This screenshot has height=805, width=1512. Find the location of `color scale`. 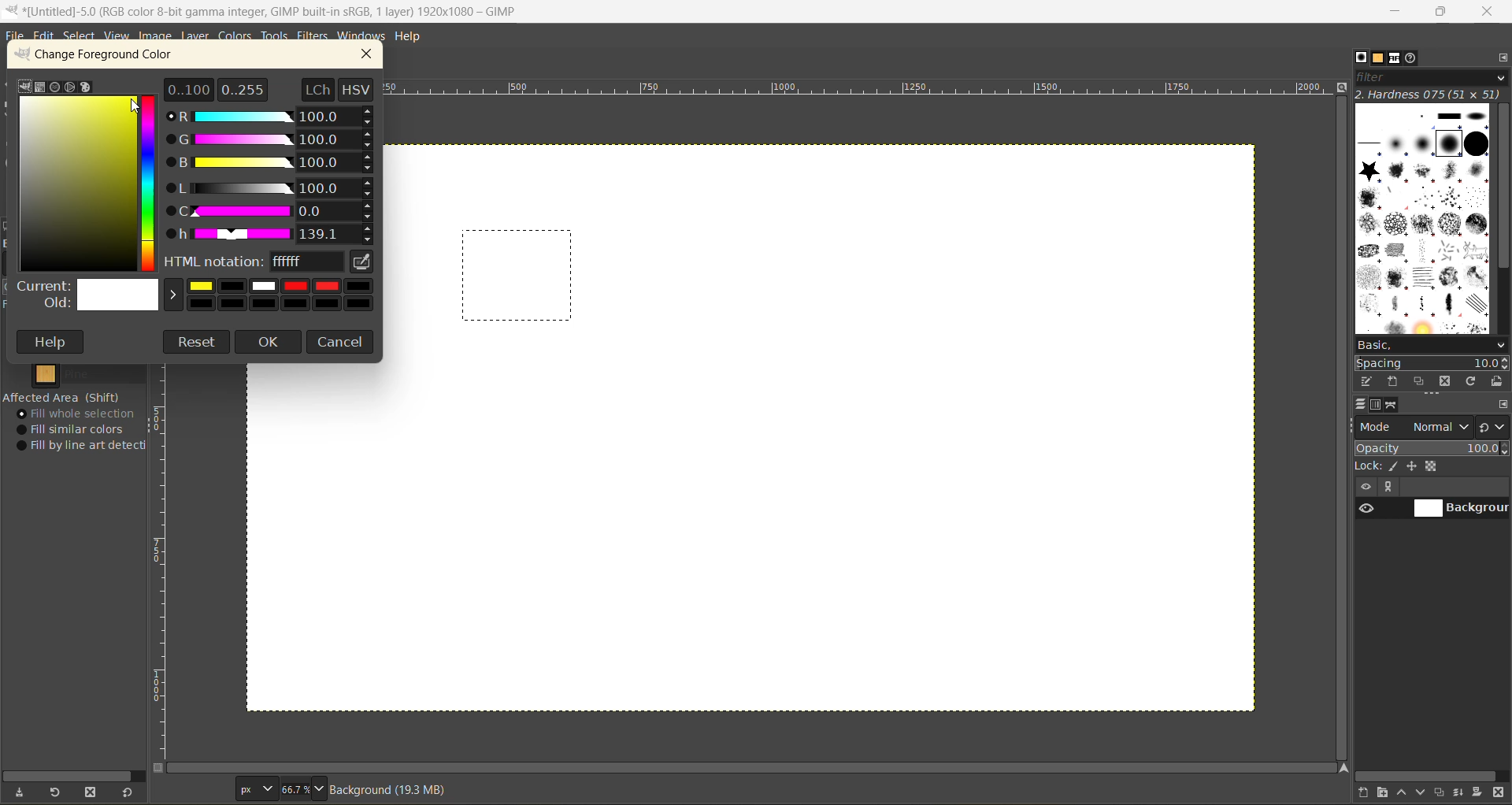

color scale is located at coordinates (151, 181).